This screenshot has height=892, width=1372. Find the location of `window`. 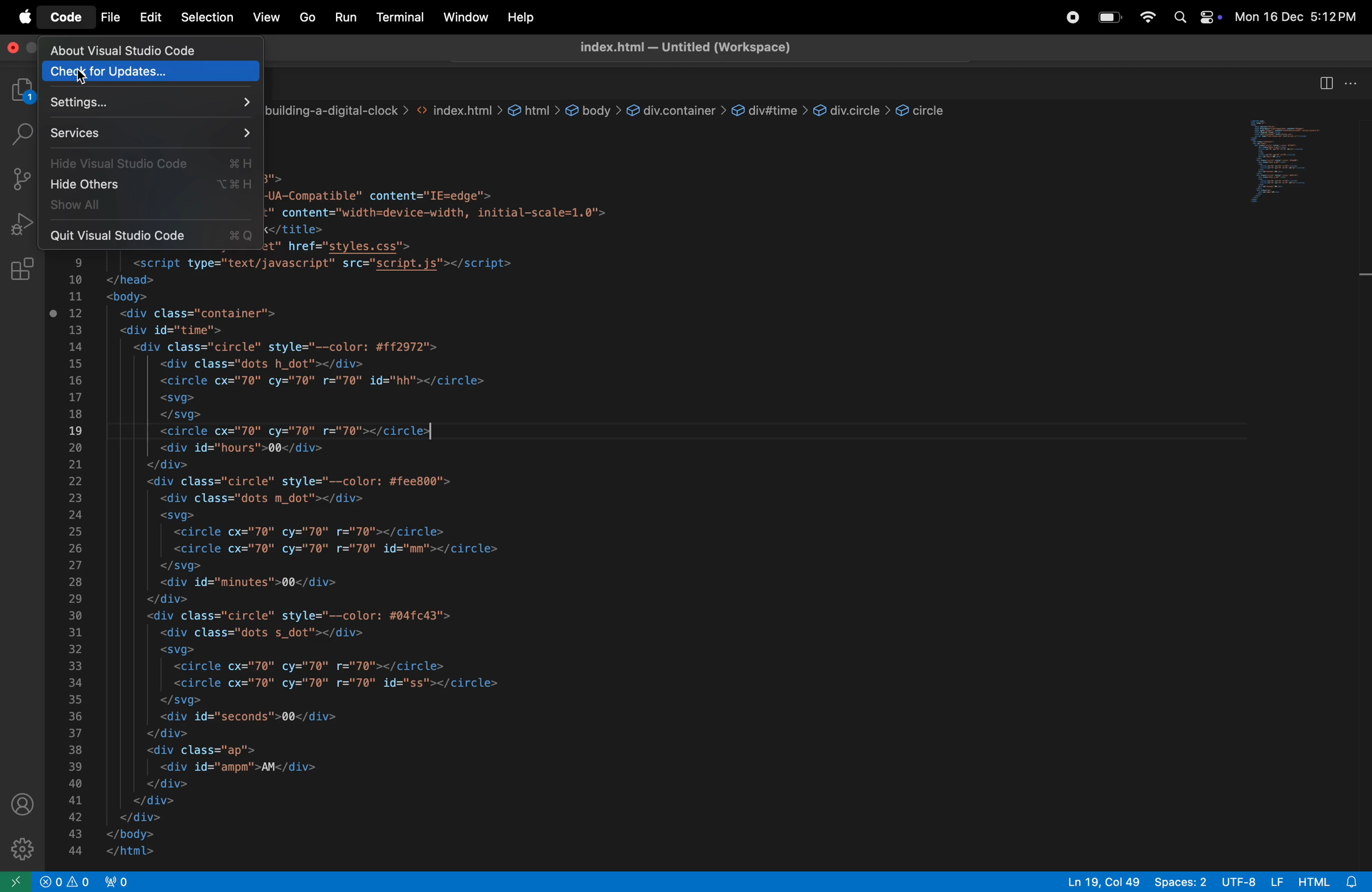

window is located at coordinates (463, 17).